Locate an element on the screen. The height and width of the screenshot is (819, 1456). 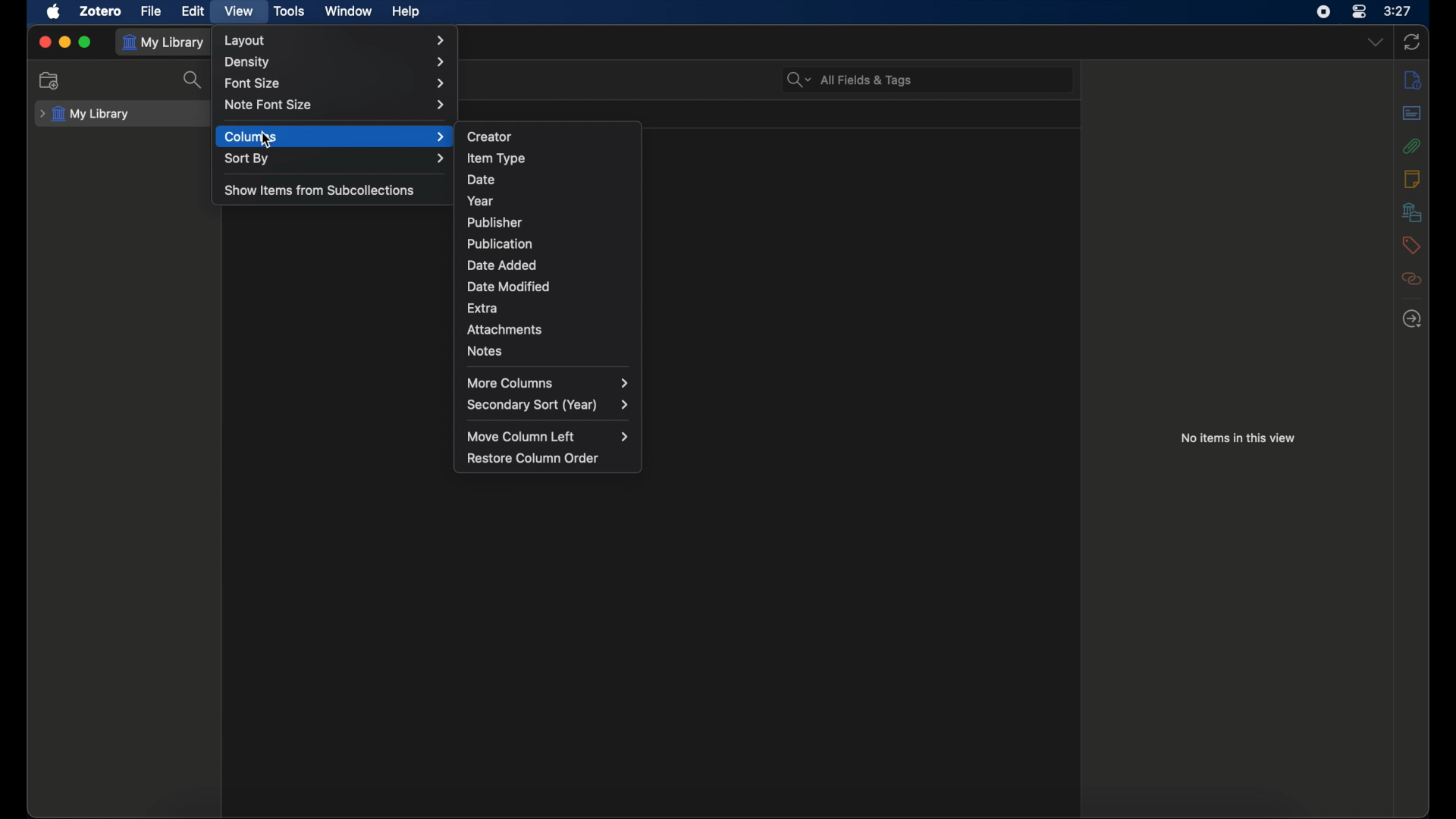
note font size is located at coordinates (337, 105).